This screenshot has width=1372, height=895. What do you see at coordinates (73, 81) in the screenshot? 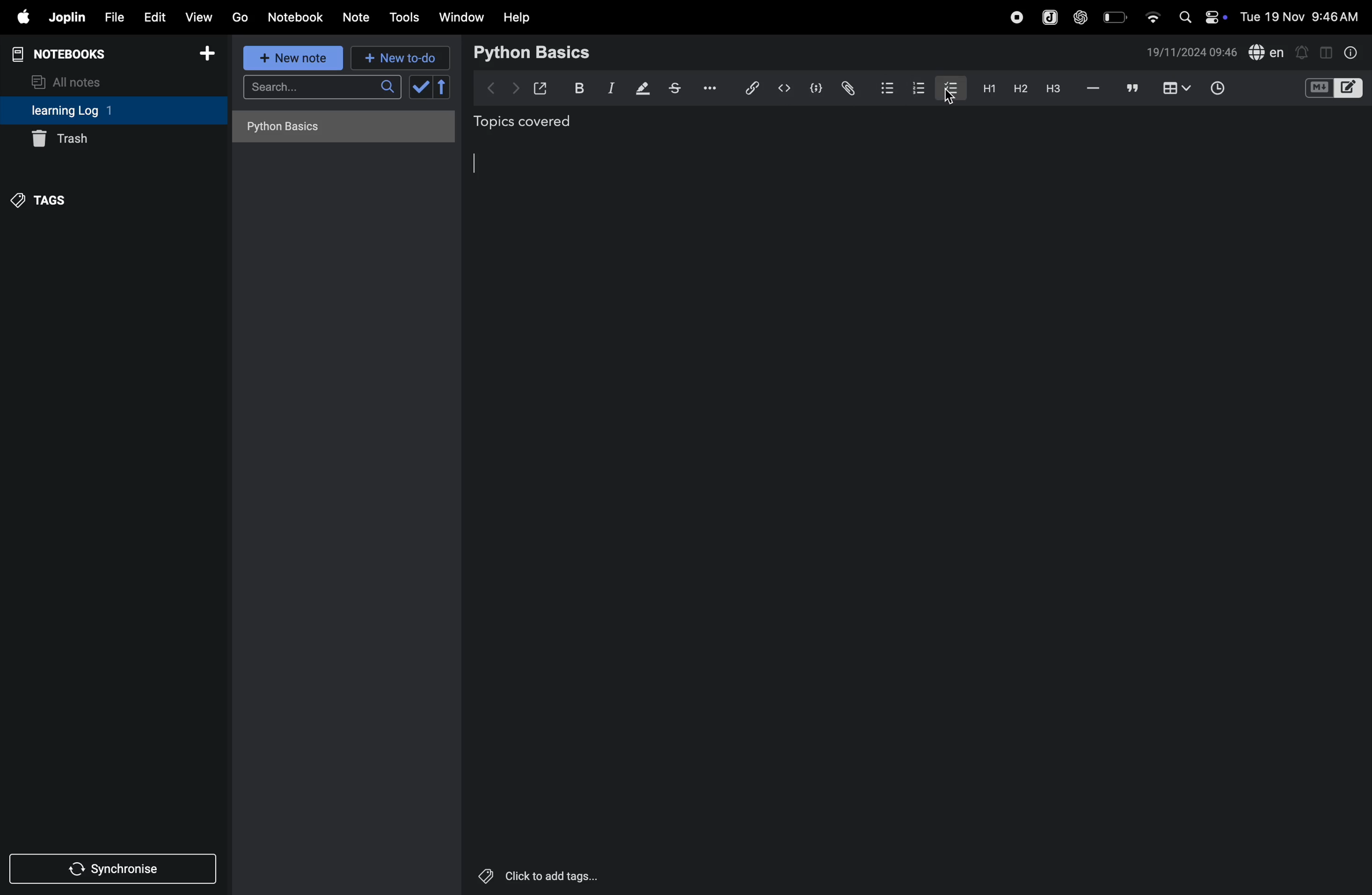
I see `all notes` at bounding box center [73, 81].